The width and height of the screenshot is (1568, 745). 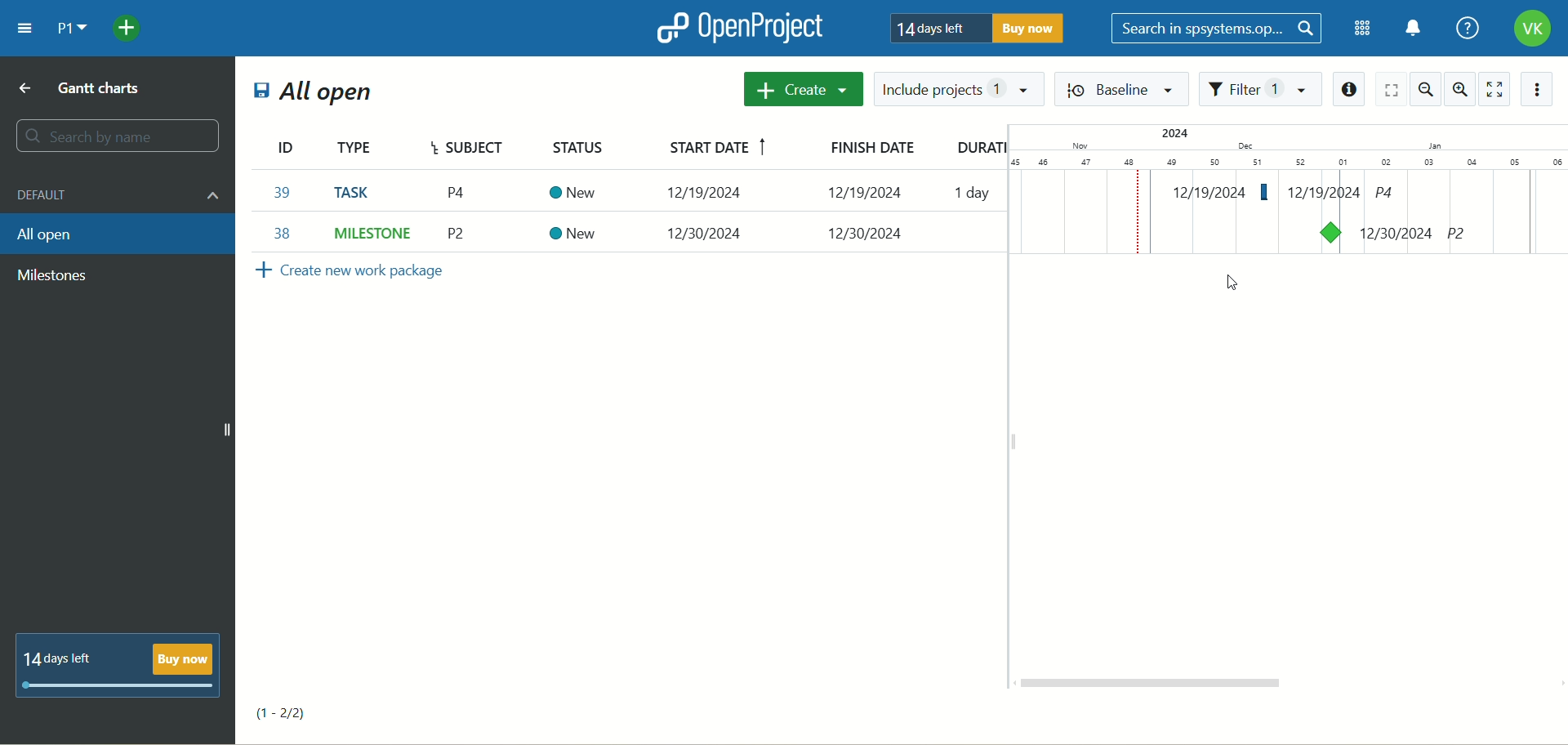 I want to click on event added, so click(x=1267, y=202).